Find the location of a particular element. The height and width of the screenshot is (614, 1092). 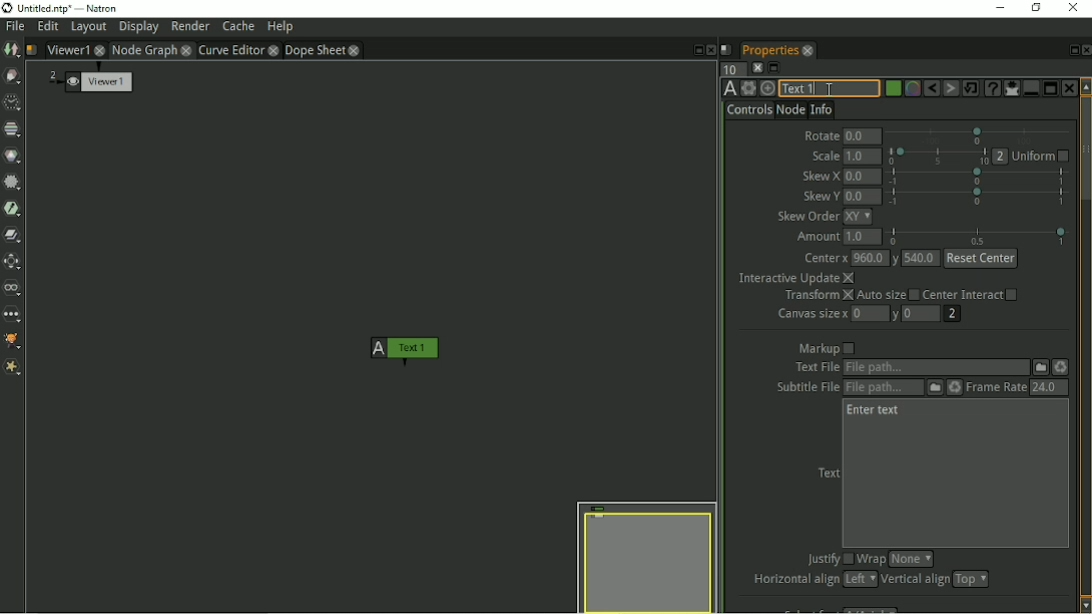

Float pane is located at coordinates (697, 50).